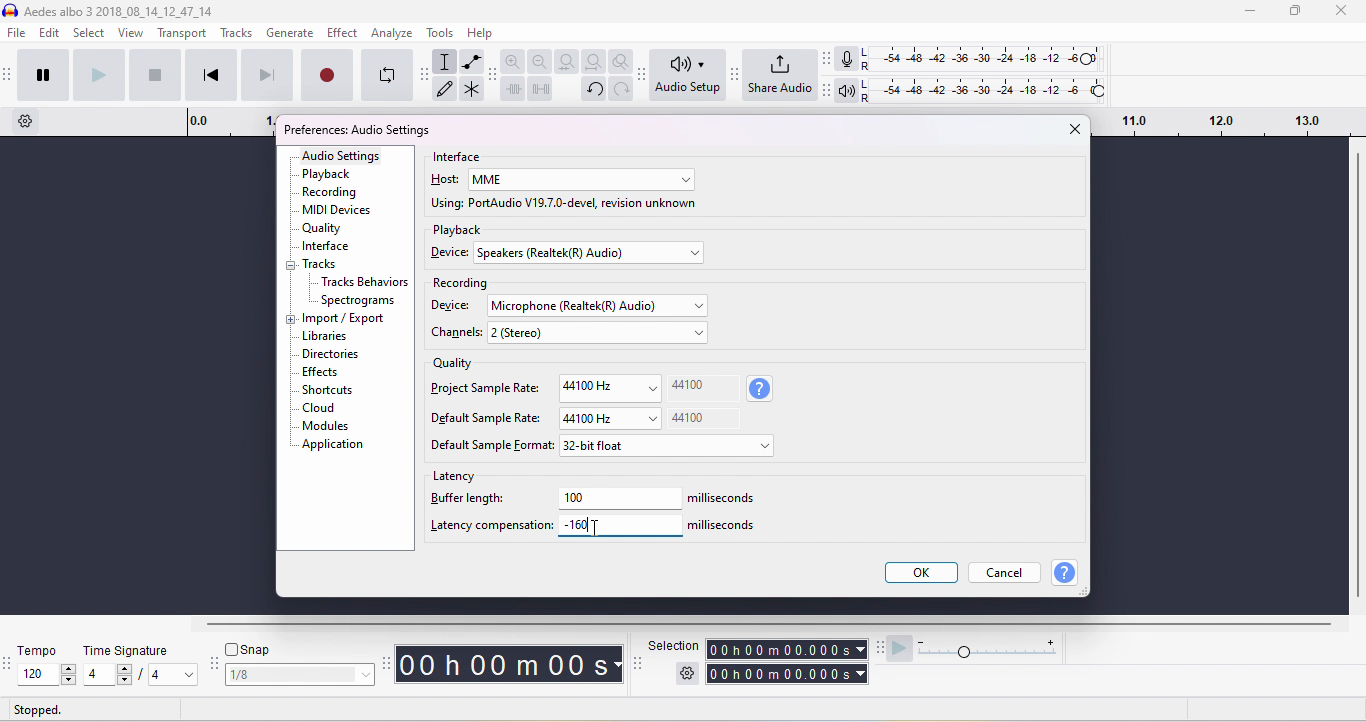  I want to click on Audacity playback meter toolbar, so click(828, 91).